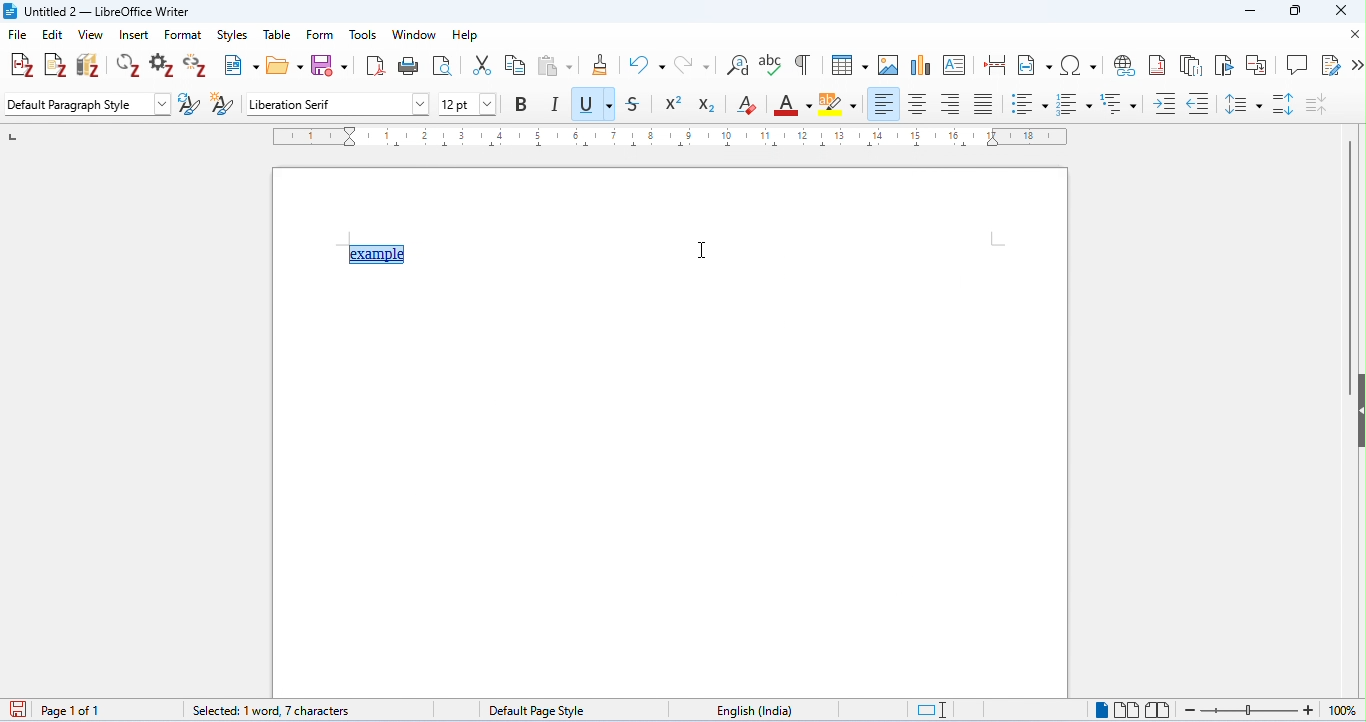 The image size is (1366, 722). What do you see at coordinates (21, 710) in the screenshot?
I see `save` at bounding box center [21, 710].